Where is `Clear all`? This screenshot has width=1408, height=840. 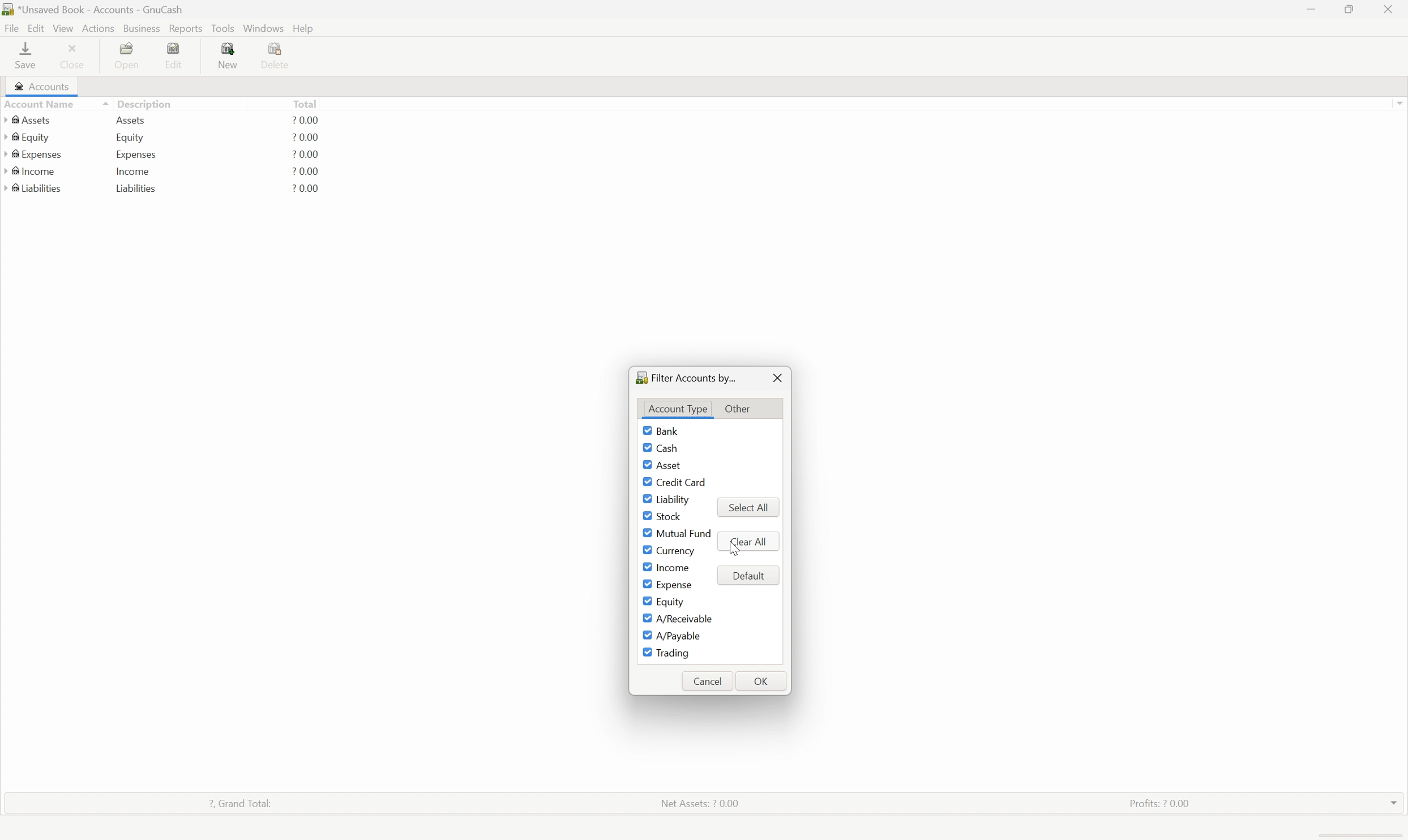 Clear all is located at coordinates (747, 541).